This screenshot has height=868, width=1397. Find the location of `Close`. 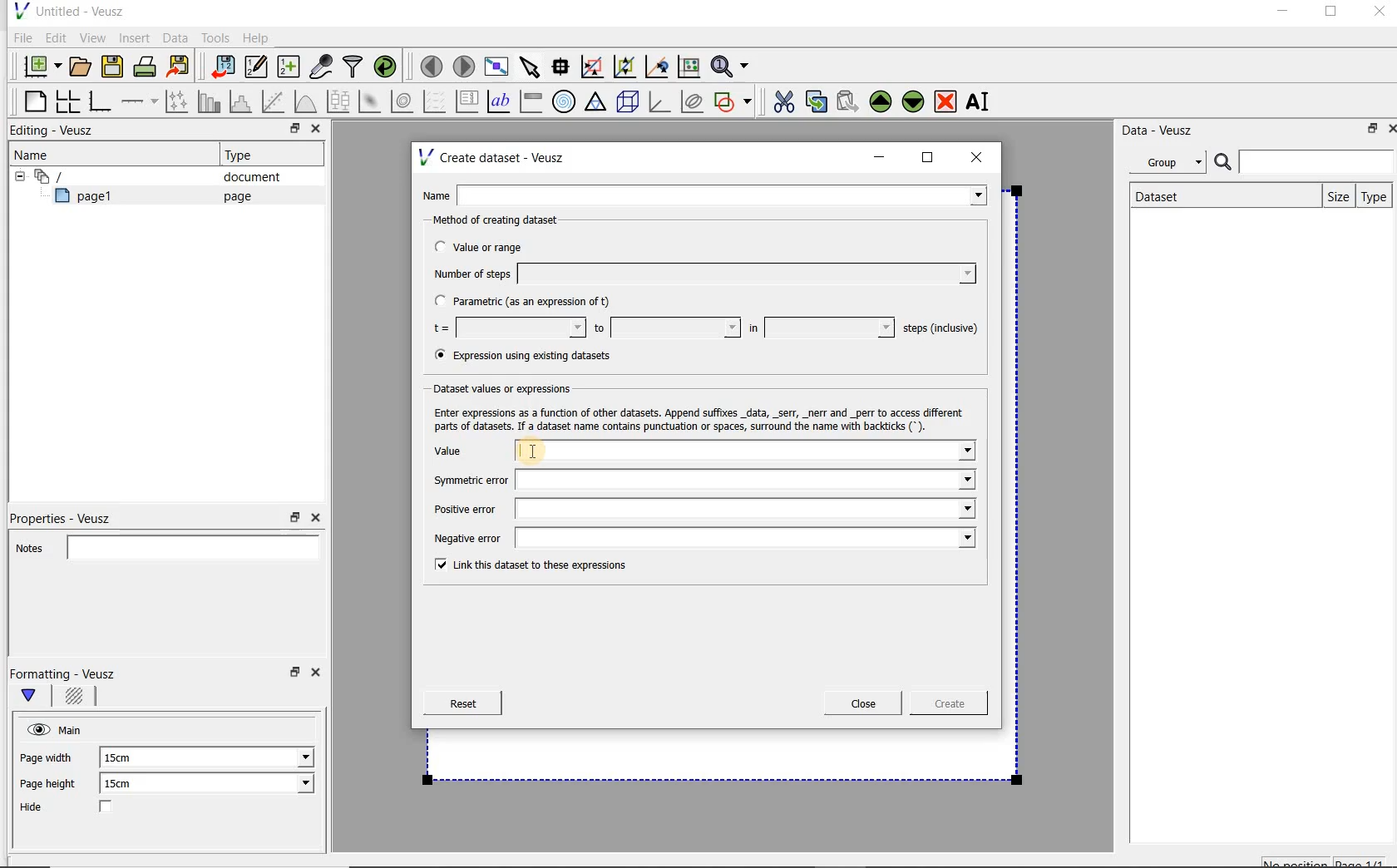

Close is located at coordinates (314, 131).